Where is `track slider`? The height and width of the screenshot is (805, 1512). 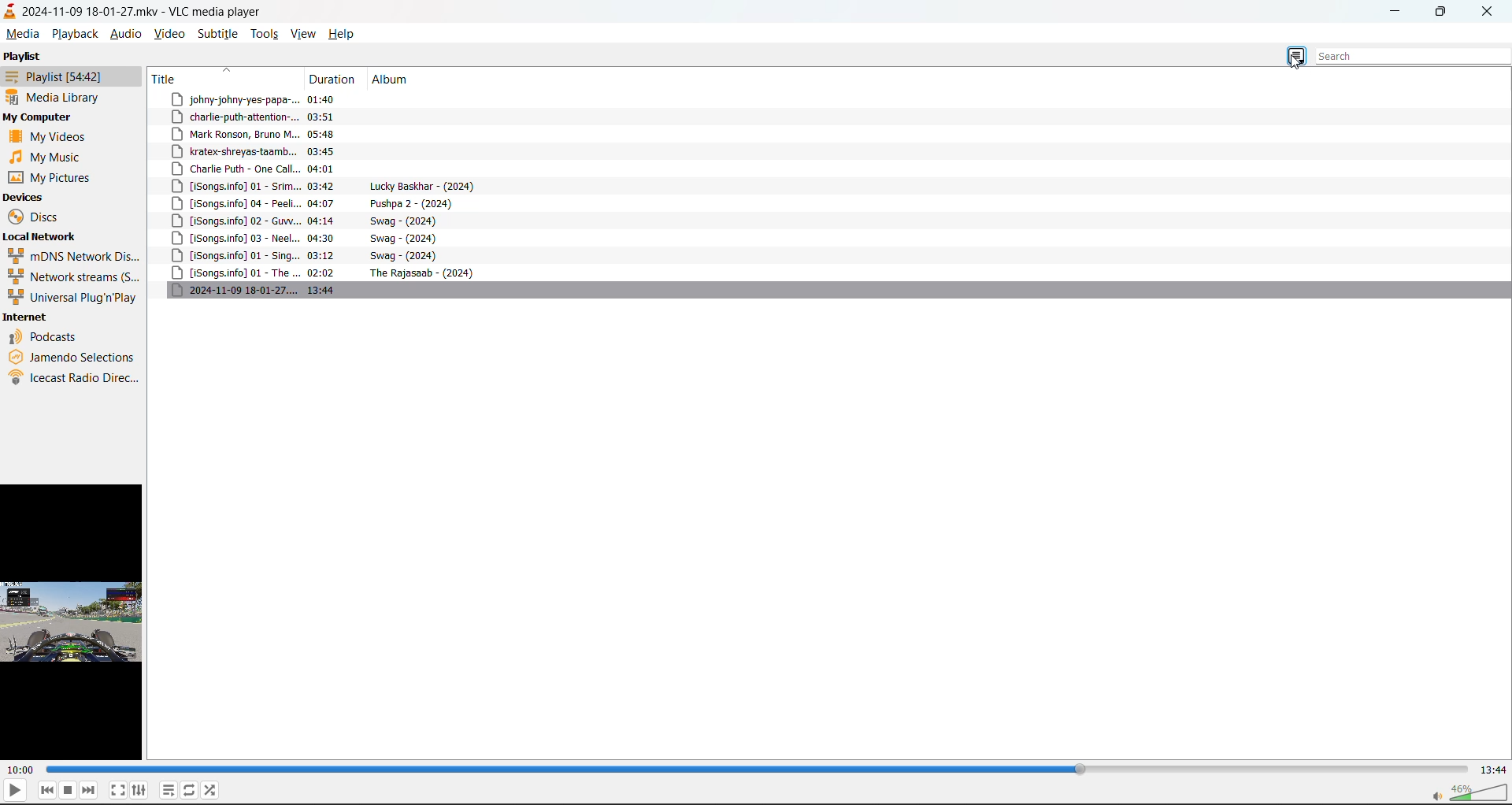
track slider is located at coordinates (760, 769).